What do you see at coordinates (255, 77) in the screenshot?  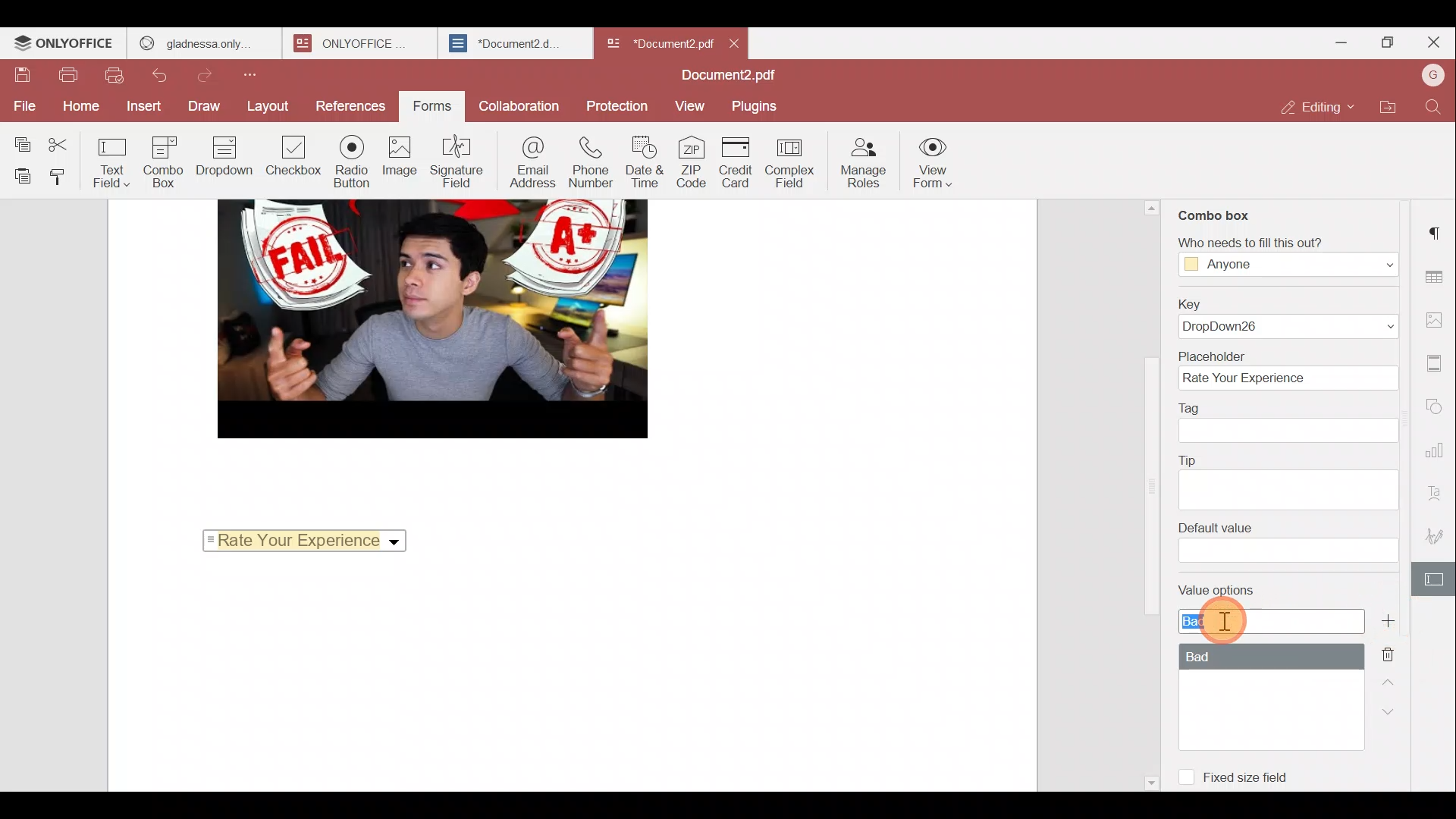 I see `Customize quick access toolbar` at bounding box center [255, 77].